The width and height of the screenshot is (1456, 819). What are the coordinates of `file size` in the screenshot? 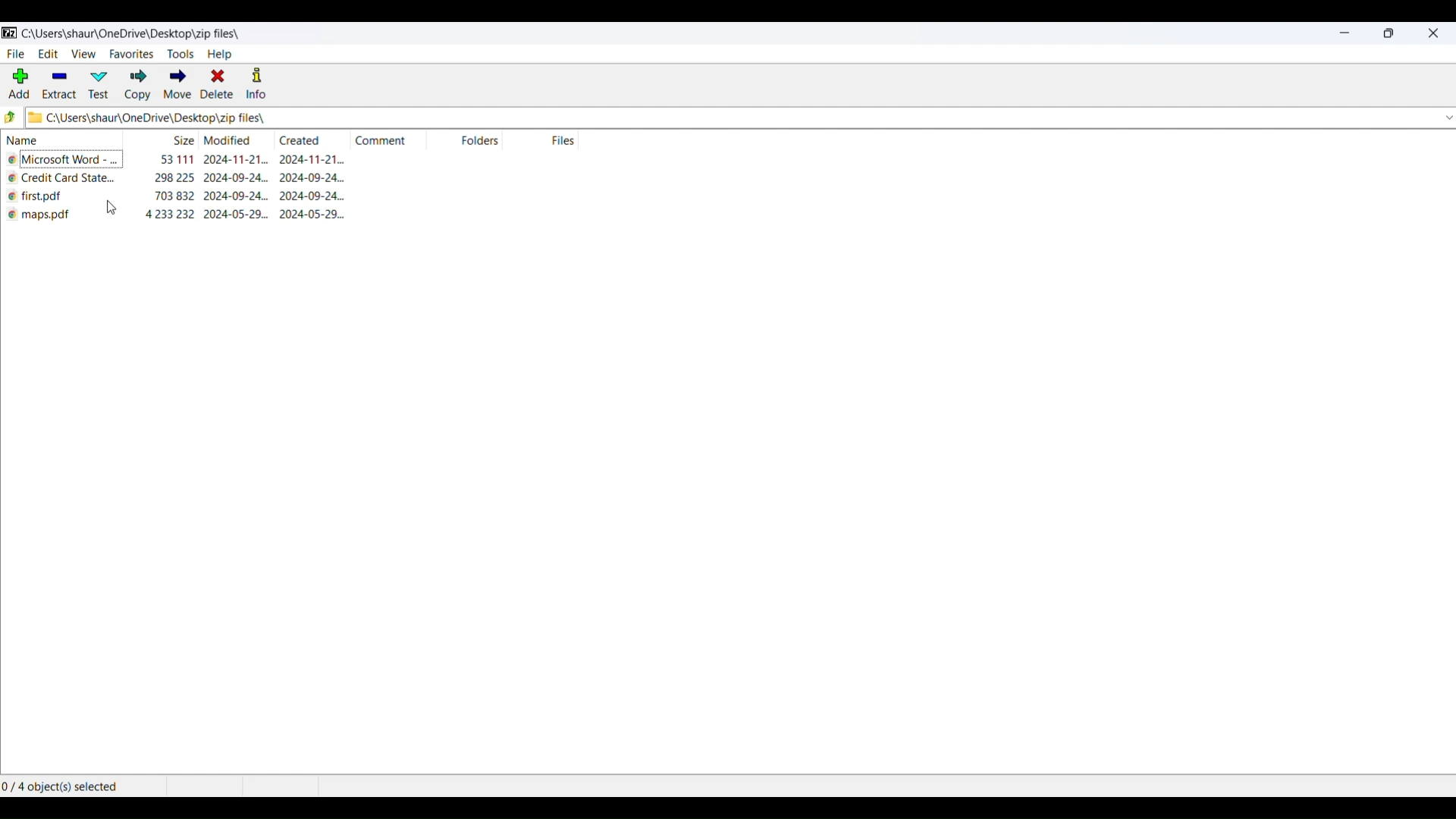 It's located at (177, 197).